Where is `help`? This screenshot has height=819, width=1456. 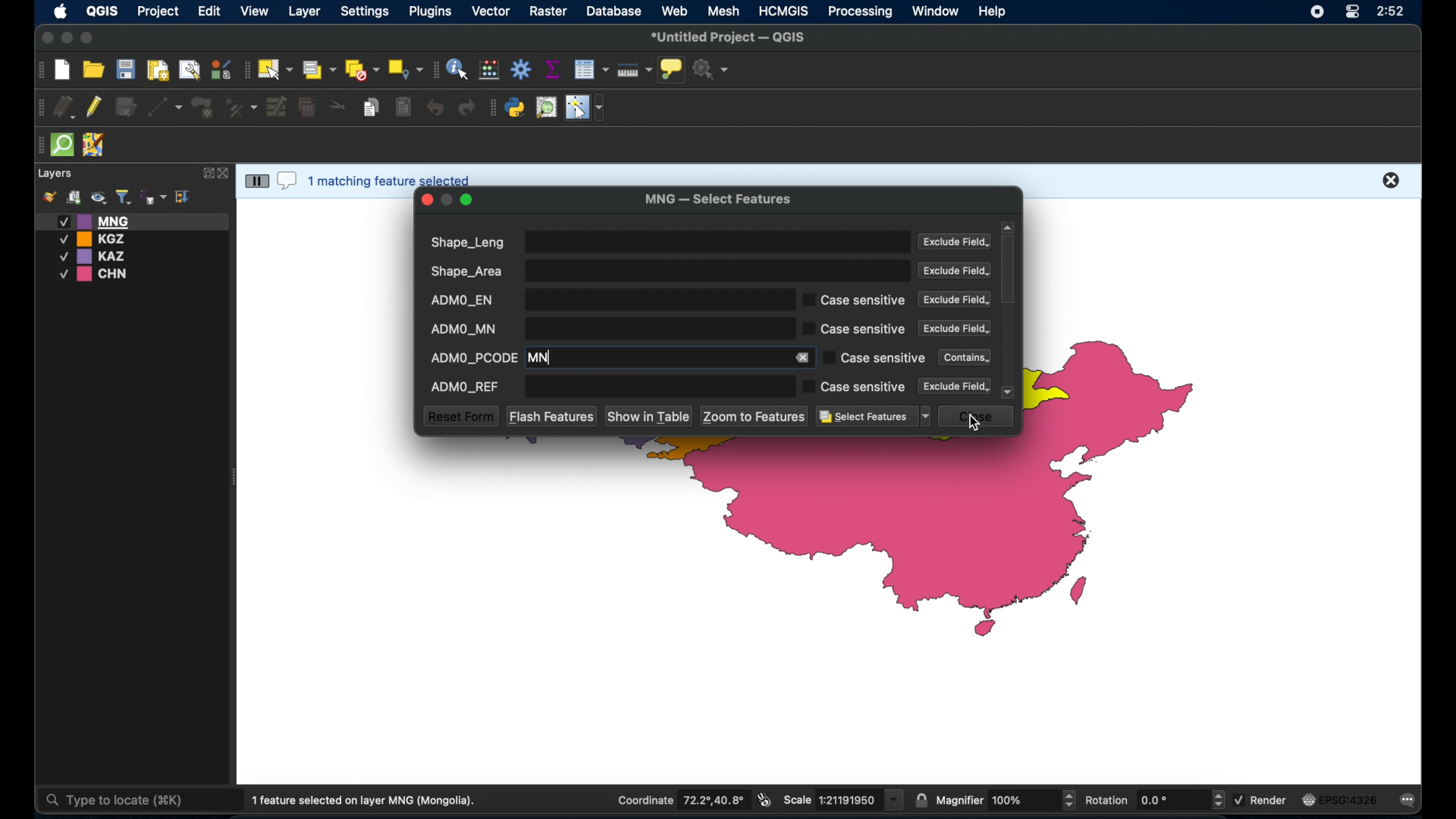 help is located at coordinates (994, 13).